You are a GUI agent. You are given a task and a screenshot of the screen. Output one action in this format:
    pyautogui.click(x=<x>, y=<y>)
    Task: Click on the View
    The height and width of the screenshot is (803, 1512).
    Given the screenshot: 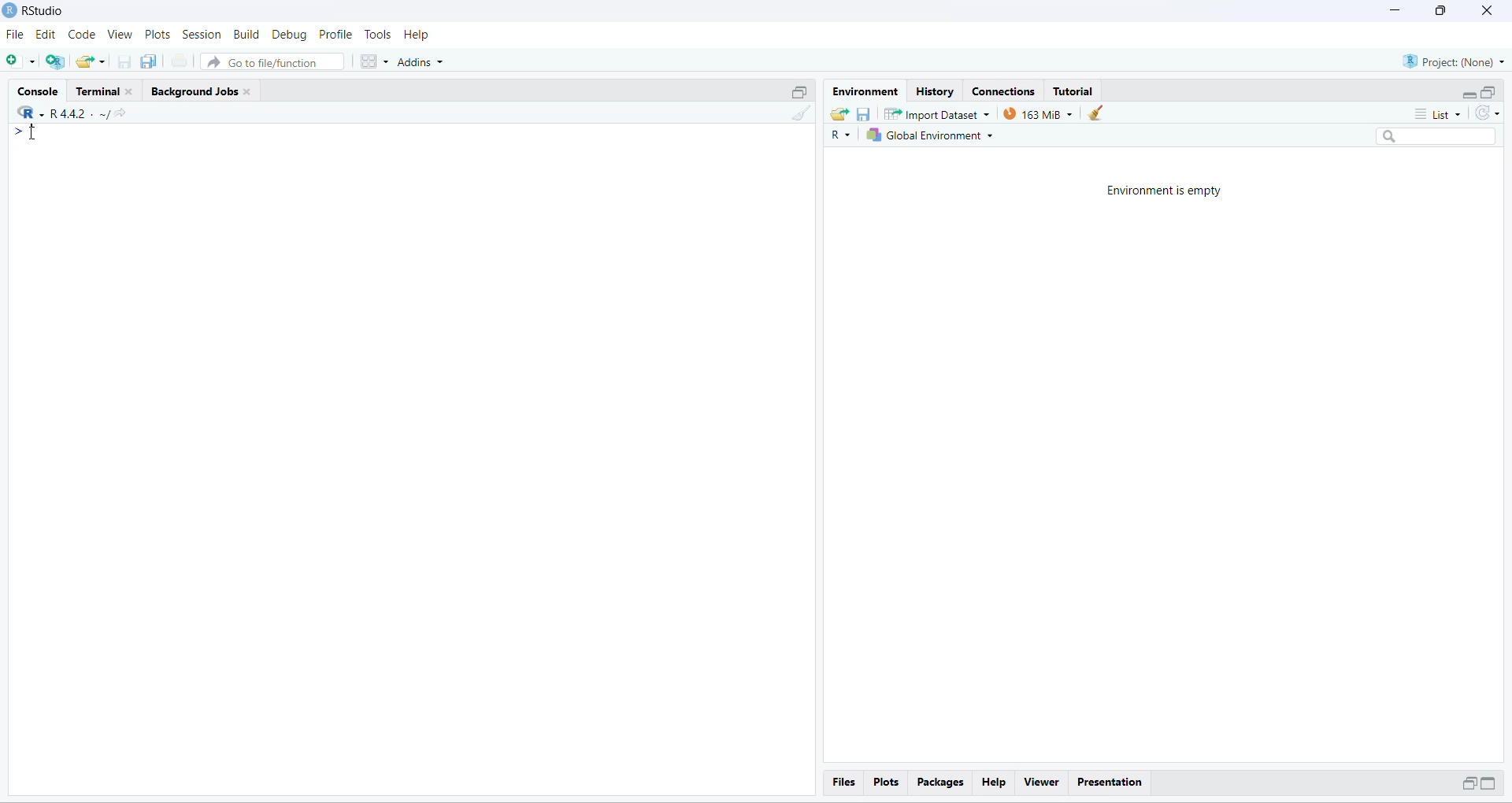 What is the action you would take?
    pyautogui.click(x=120, y=35)
    